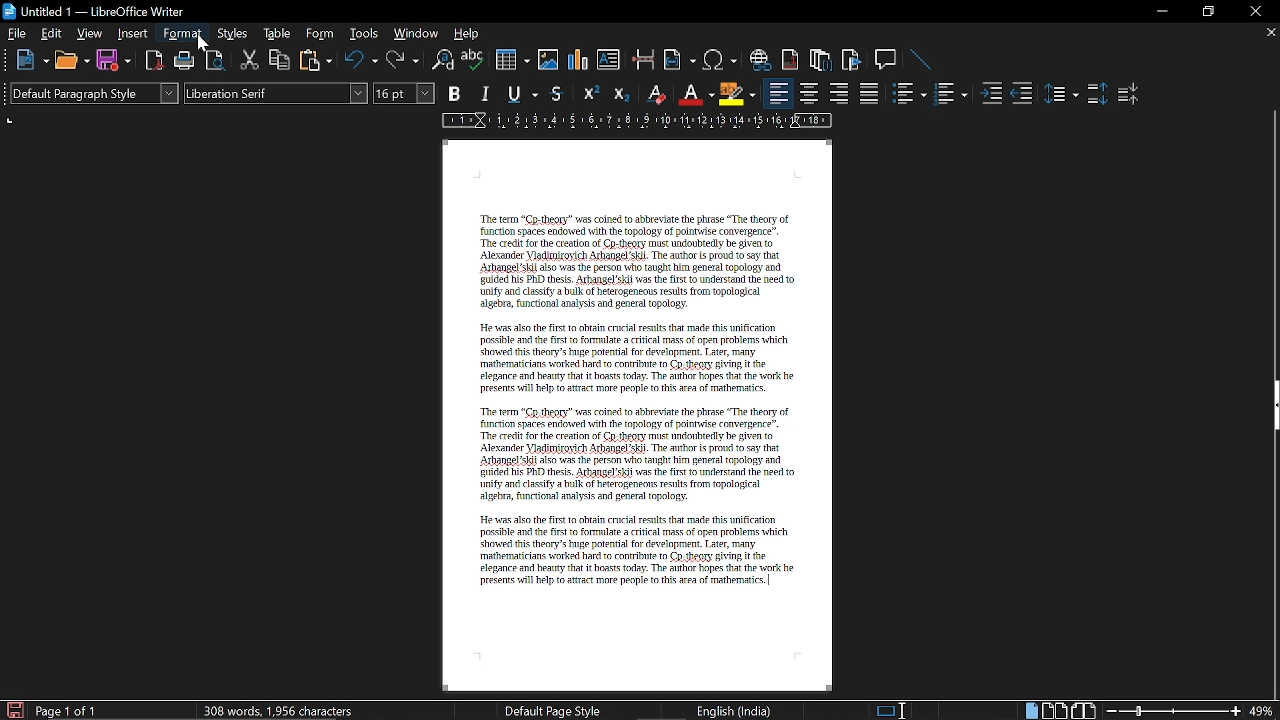  Describe the element at coordinates (640, 404) in the screenshot. I see `“The term “Cp-theory” was colned to abbreviate the phrase “Th theory of
function spaces endowed withthe topology of pointwise convergence”.
“The edit forthe crestion of Cp-theory mas: undoubtedly be given to
Alexander Vladimirovich Ashangel sl. The aor I pow to sey hat
Adbangel sl ls0 was th person who taught him general opology and
uid is PD hess Athangelsi was the fs o undersand the ned to
unify and classify a blk of heterogeneous results from topological
lgebre, functional analysis nd generl topology:

Han ao the firs 0 ta roca rss ha made tis unification
sible ad he ist 0 forme  ciiea mas of open problems which
Showed this thers ge potential for developrent Later, many
mathematicians worked har 0 conmibate to Cp heer vn it re
elegance and beauey that boasts today: Th ahs bopes at the work he
ves ill lp tract mare people to thi aren of matheic.

The tem “Co theory” was coin to abbreviate the phase “Th theory of
incon spaces endowed wih th iopolog of pointwise convergence”.
“The cet forthe resion of Cp theory mie donb he given to
lesander iaimitovich Athange Ki. The abhor is prove 0 ca tit
Adhangel si aso was th person who taught him general opology and
Fide is PD) hese, Athangel si ea he frst to derstand the ee to
nity and classify a lk of hterogeneons esis from topological
geben, functional analysis and general topology:

Han a the firs 0 ta roca rss ha made tis unification
sible ad he First 0 forme citi mas o open probiens which
Showed this theory's ge potential for developrent Later, many
mathematicians worked har 0 conmiate to Cp heer vn it re
elegance and beauey that i boasts today: Th ahs Fopes at the work he
resets ill lp tract mare people to this cea of mathematics.` at that location.